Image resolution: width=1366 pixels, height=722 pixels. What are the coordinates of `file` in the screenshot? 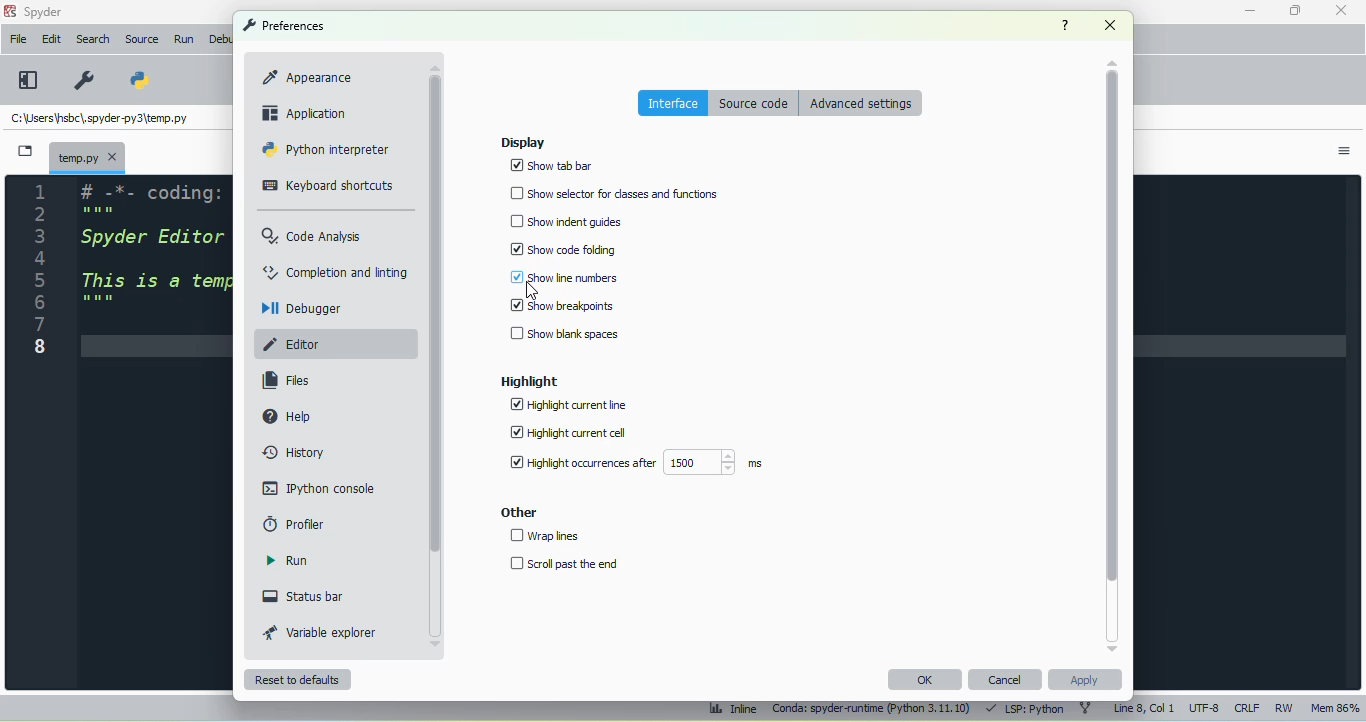 It's located at (19, 39).